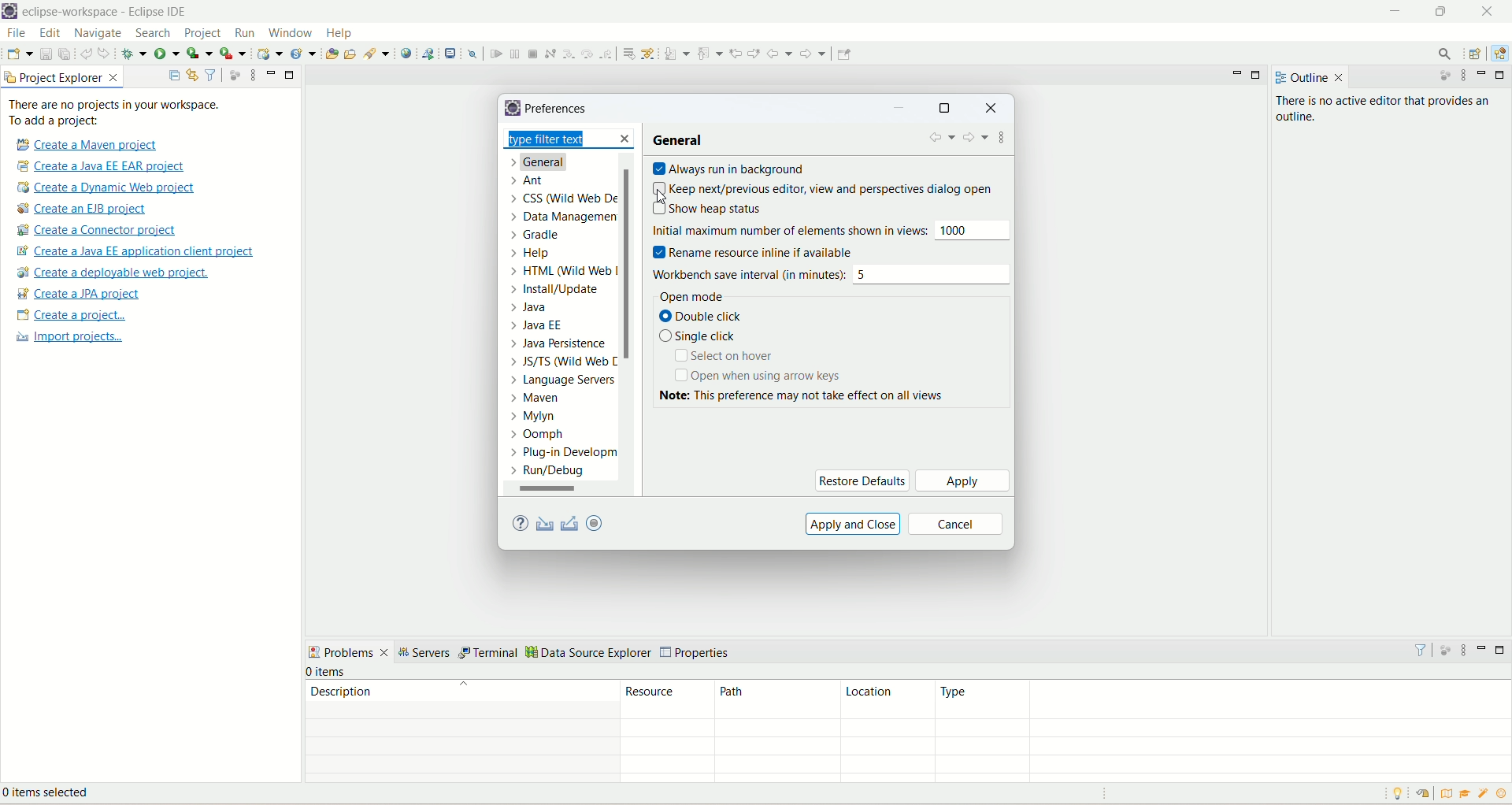 The height and width of the screenshot is (805, 1512). I want to click on ant, so click(527, 181).